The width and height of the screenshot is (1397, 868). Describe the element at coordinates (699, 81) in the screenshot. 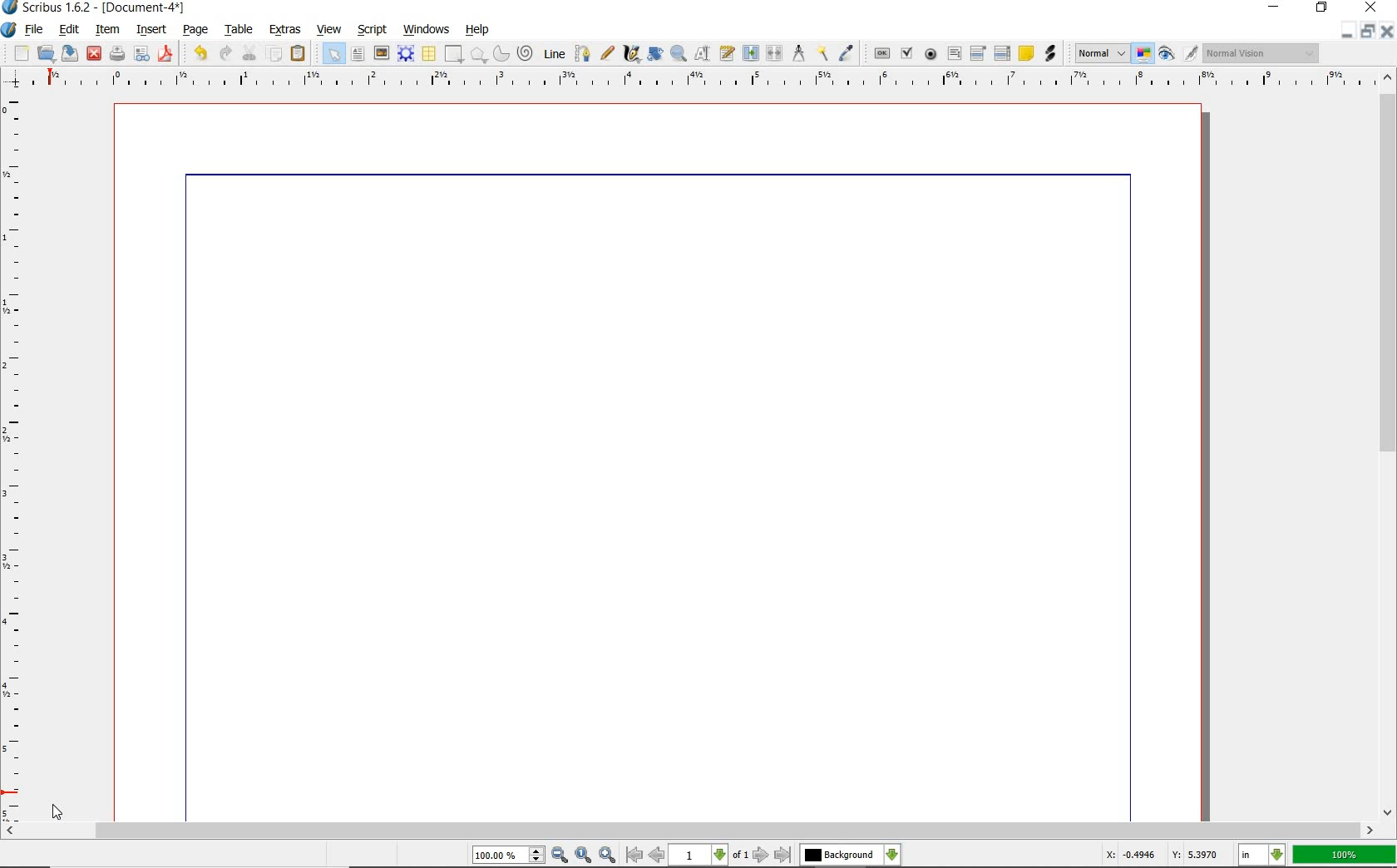

I see `ruler` at that location.